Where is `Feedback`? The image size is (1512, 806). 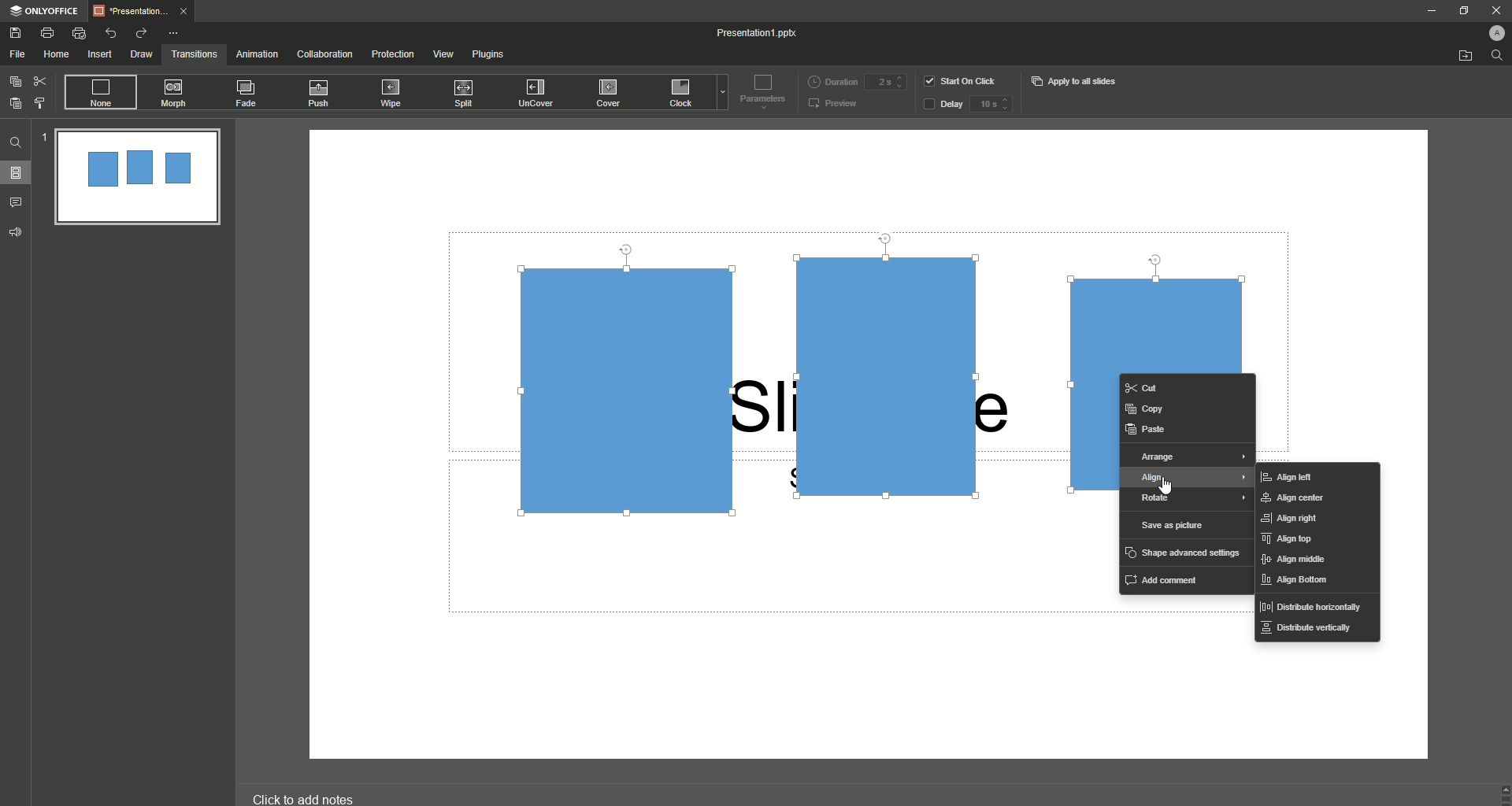 Feedback is located at coordinates (17, 232).